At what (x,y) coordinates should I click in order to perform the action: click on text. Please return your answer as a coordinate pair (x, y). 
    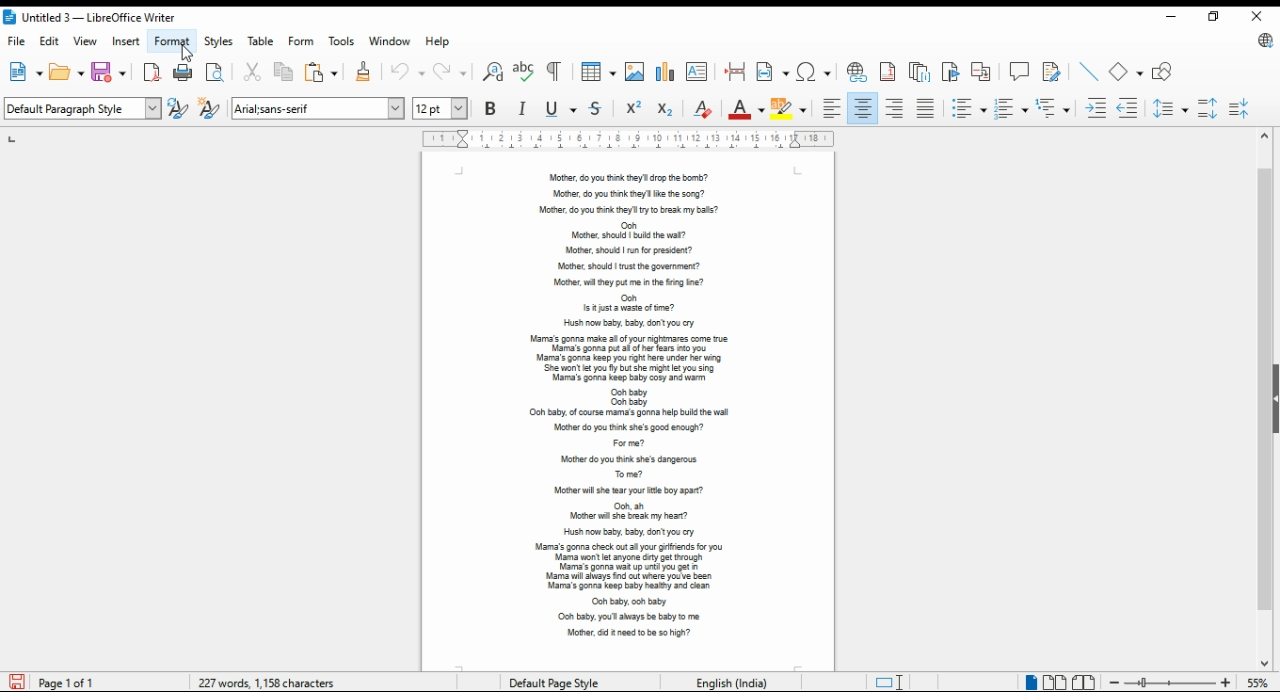
    Looking at the image, I should click on (627, 401).